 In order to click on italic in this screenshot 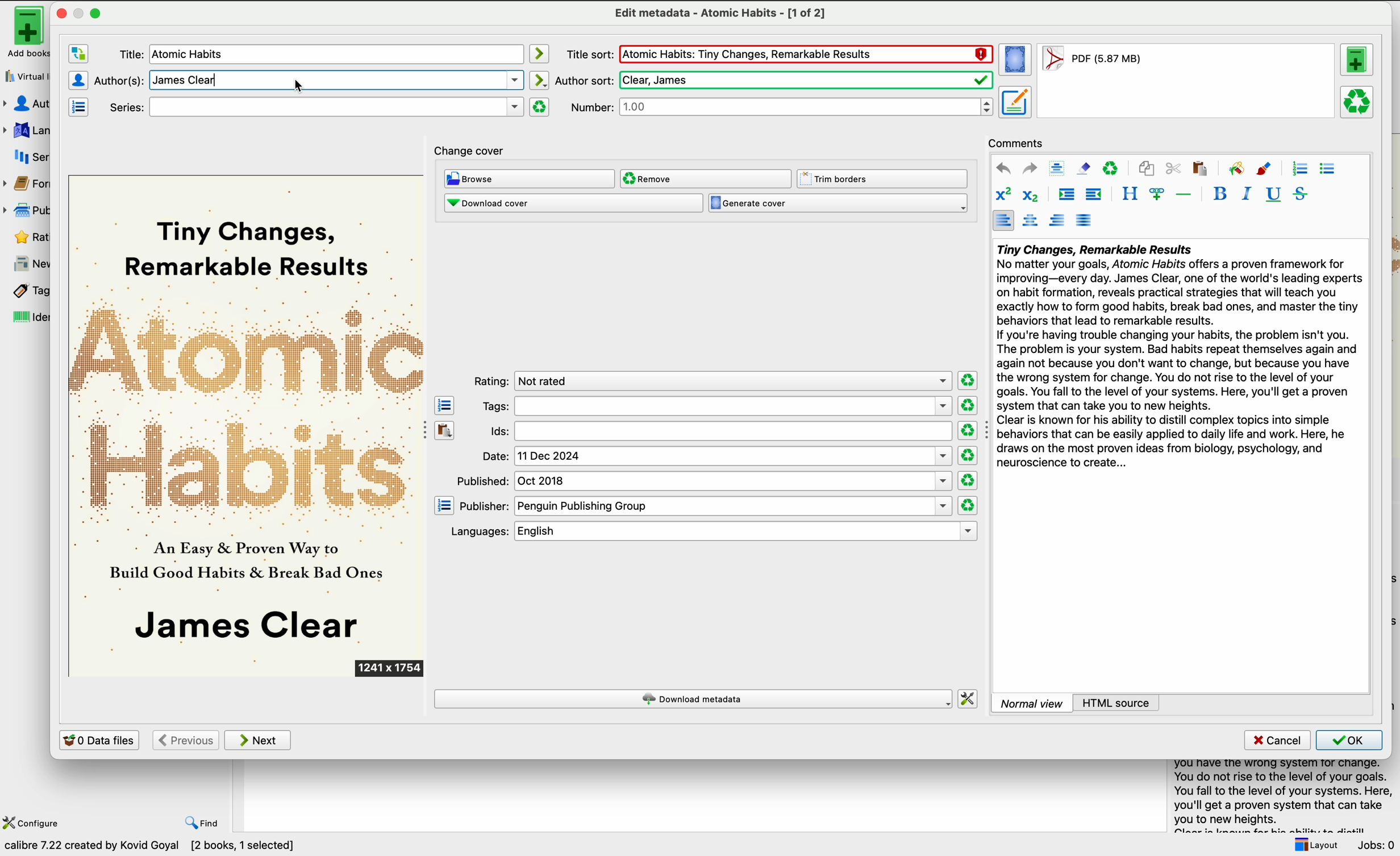, I will do `click(1247, 194)`.